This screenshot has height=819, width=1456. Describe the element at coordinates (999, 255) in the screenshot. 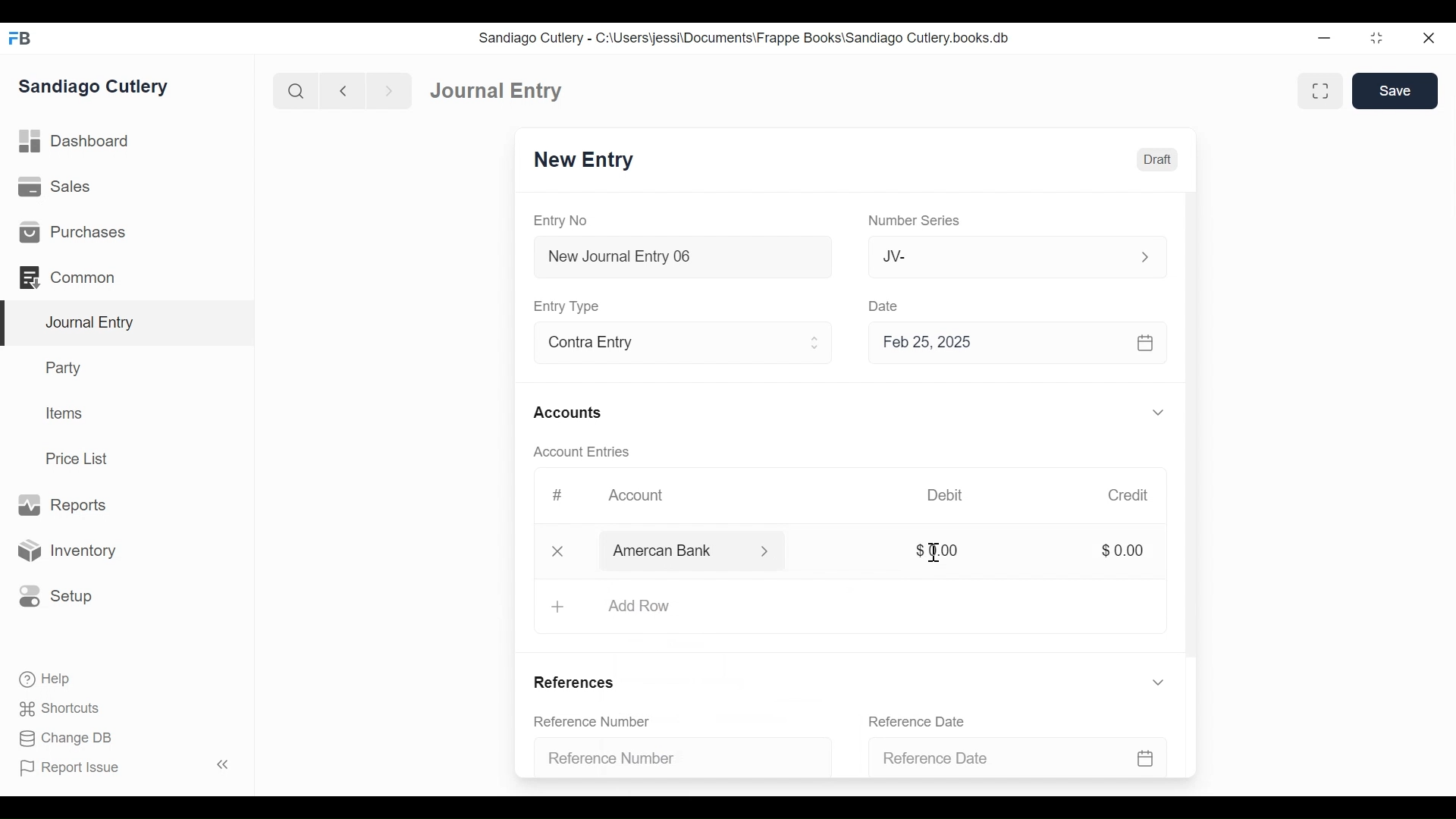

I see `JV-` at that location.